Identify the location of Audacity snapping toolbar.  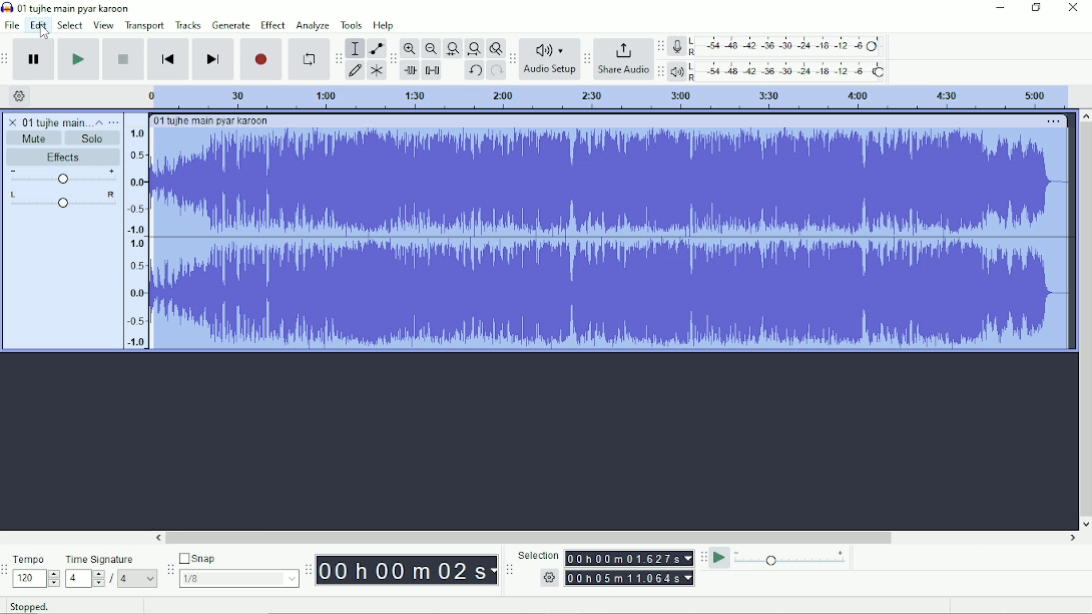
(169, 568).